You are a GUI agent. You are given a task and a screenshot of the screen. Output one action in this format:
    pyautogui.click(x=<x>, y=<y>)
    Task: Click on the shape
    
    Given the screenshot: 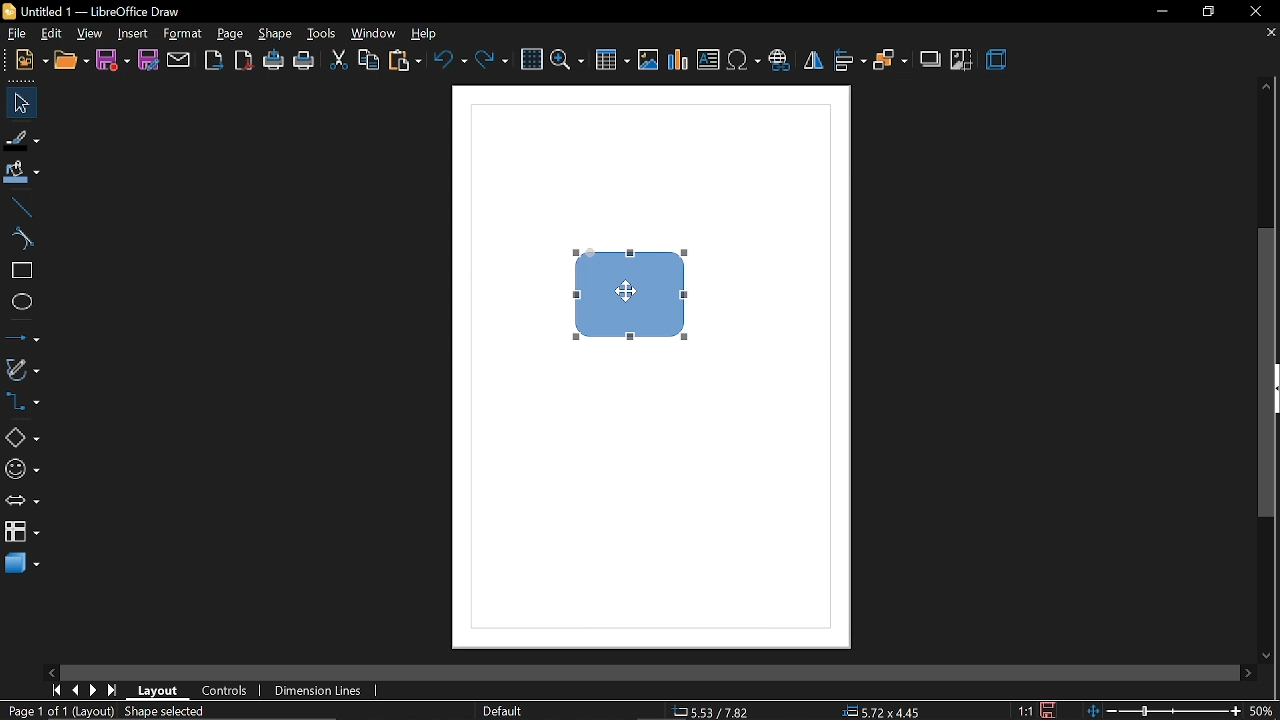 What is the action you would take?
    pyautogui.click(x=276, y=33)
    